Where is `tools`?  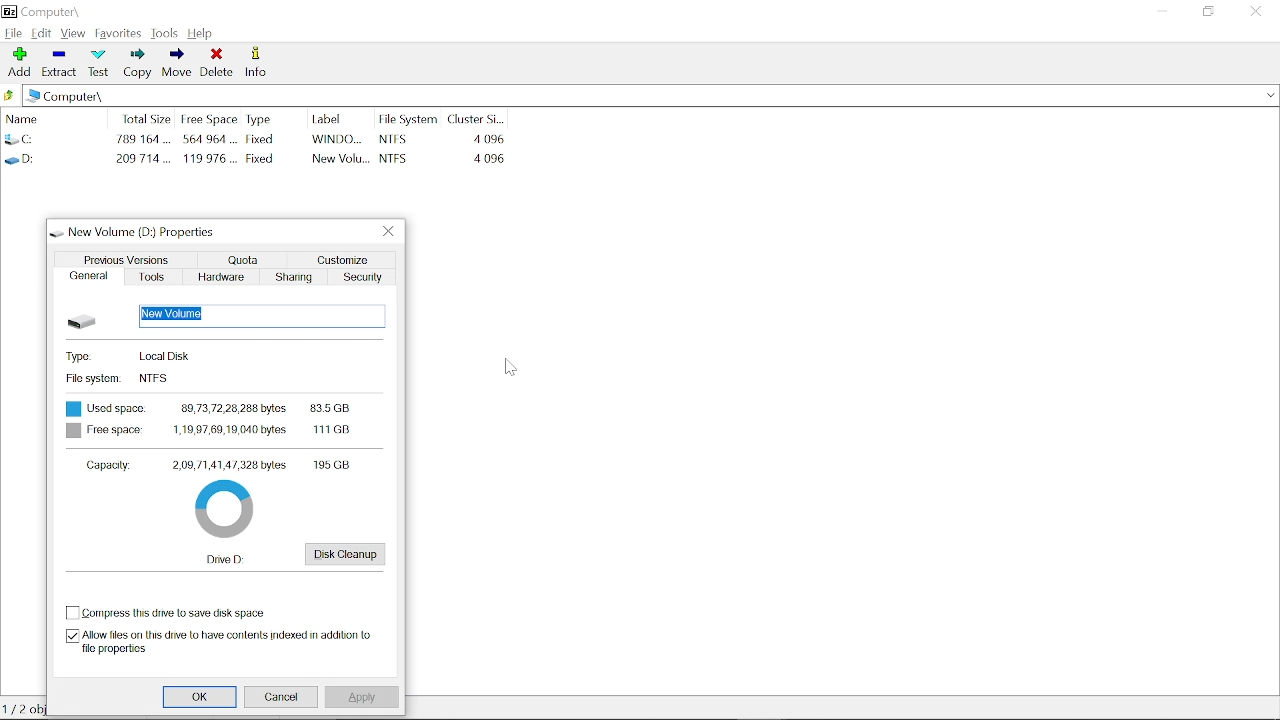
tools is located at coordinates (157, 278).